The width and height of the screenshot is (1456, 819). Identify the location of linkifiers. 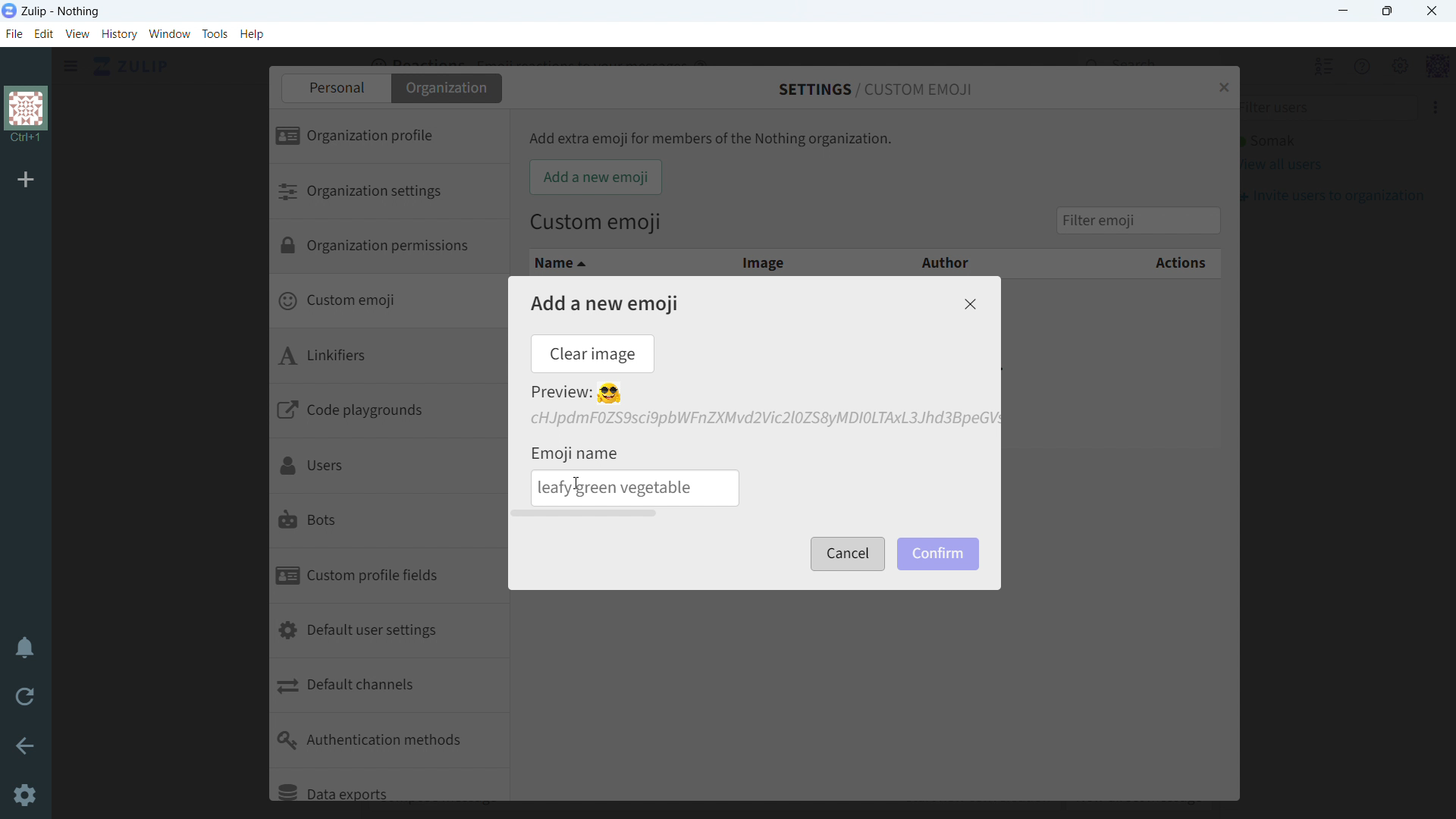
(387, 359).